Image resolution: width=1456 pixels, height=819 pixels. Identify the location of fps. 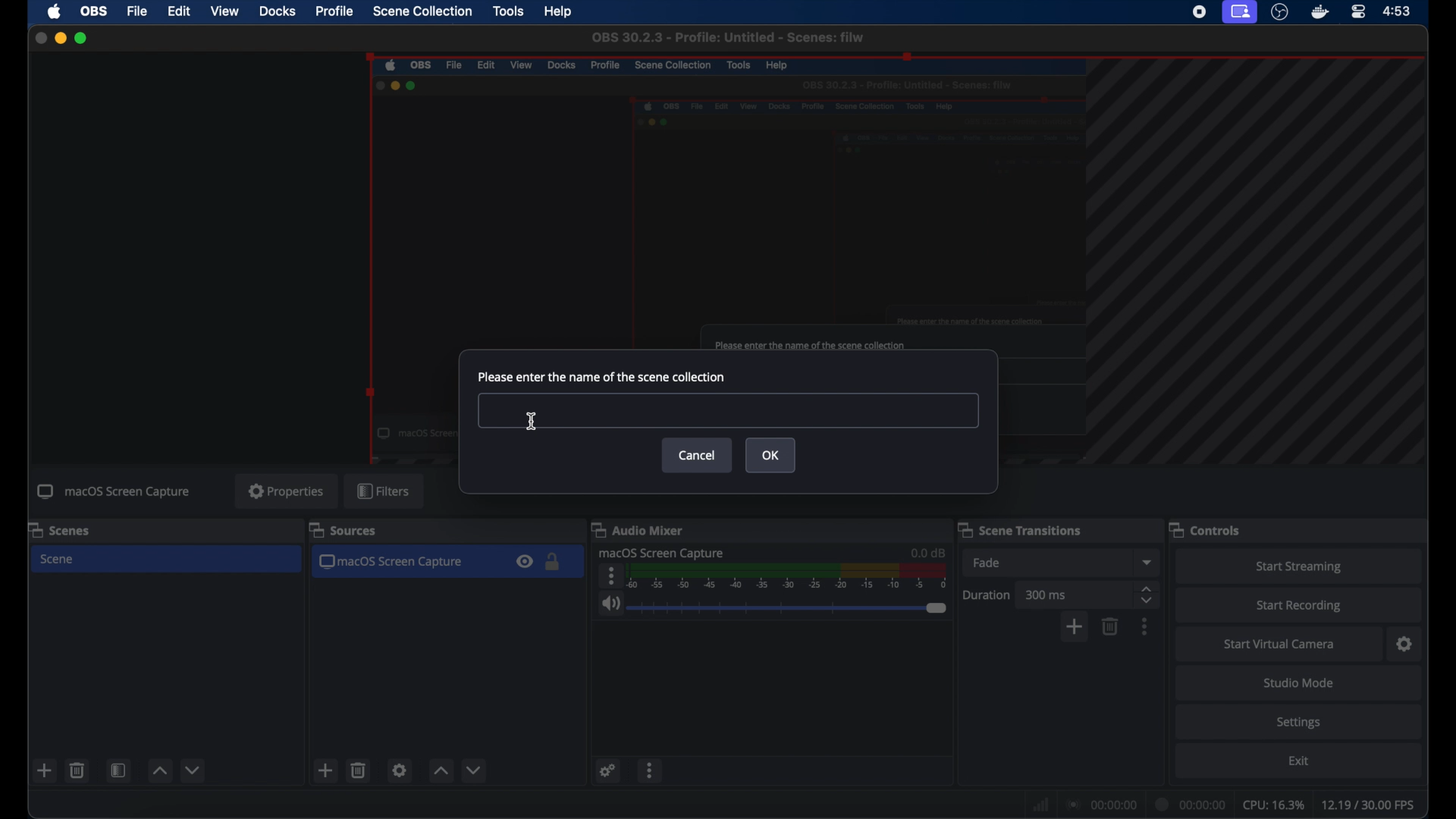
(1373, 805).